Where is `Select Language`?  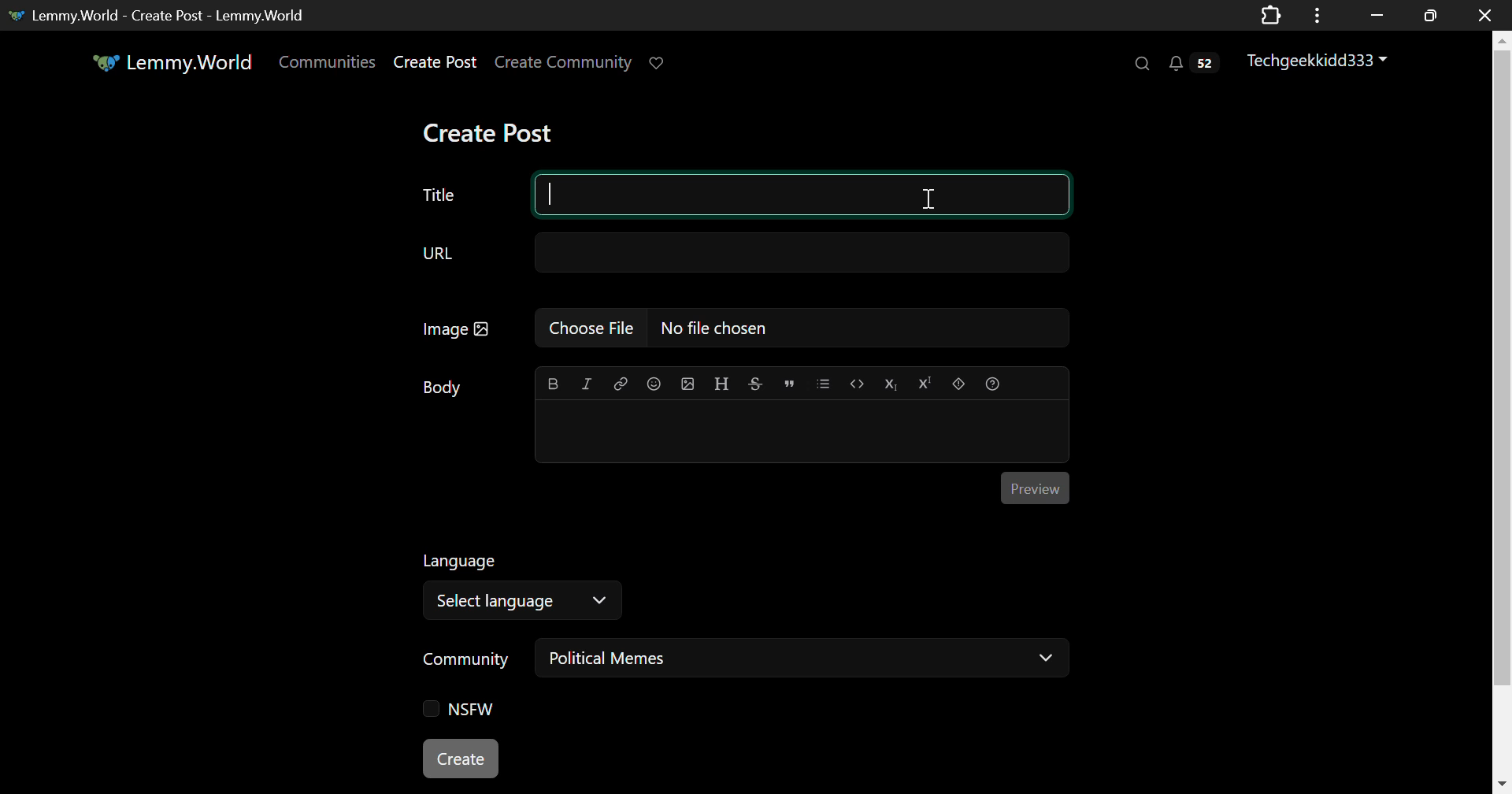 Select Language is located at coordinates (529, 586).